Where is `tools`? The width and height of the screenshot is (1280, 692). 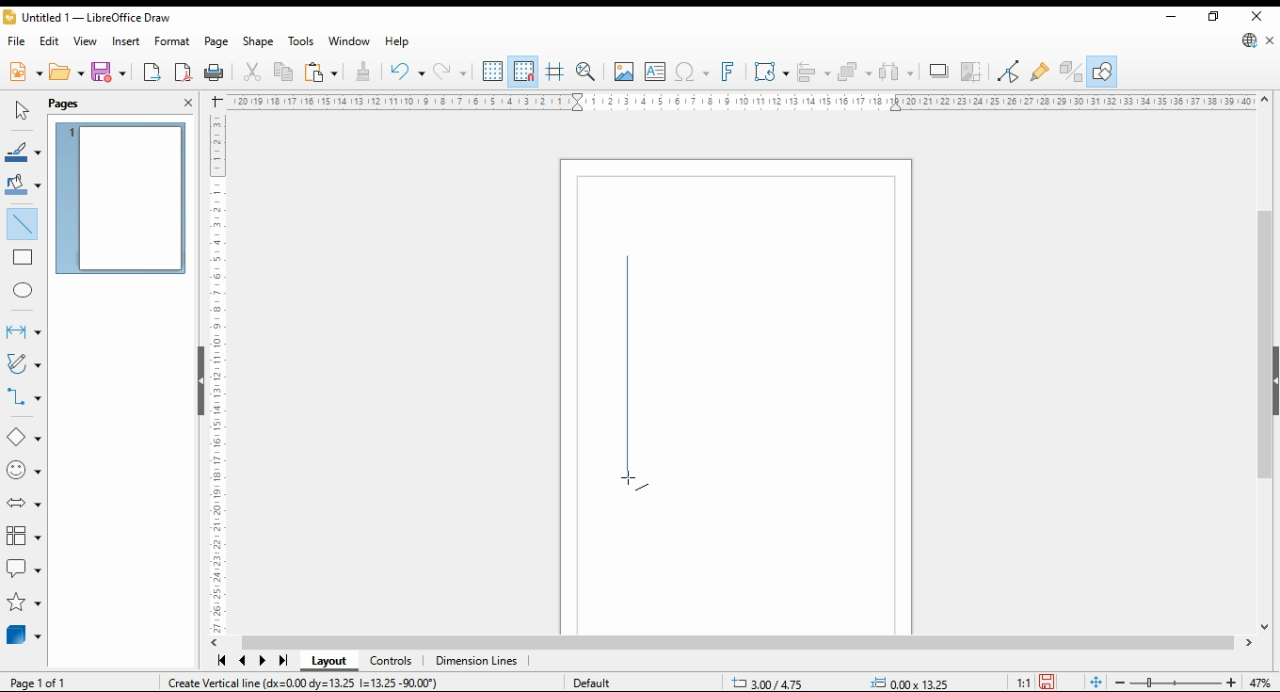 tools is located at coordinates (301, 40).